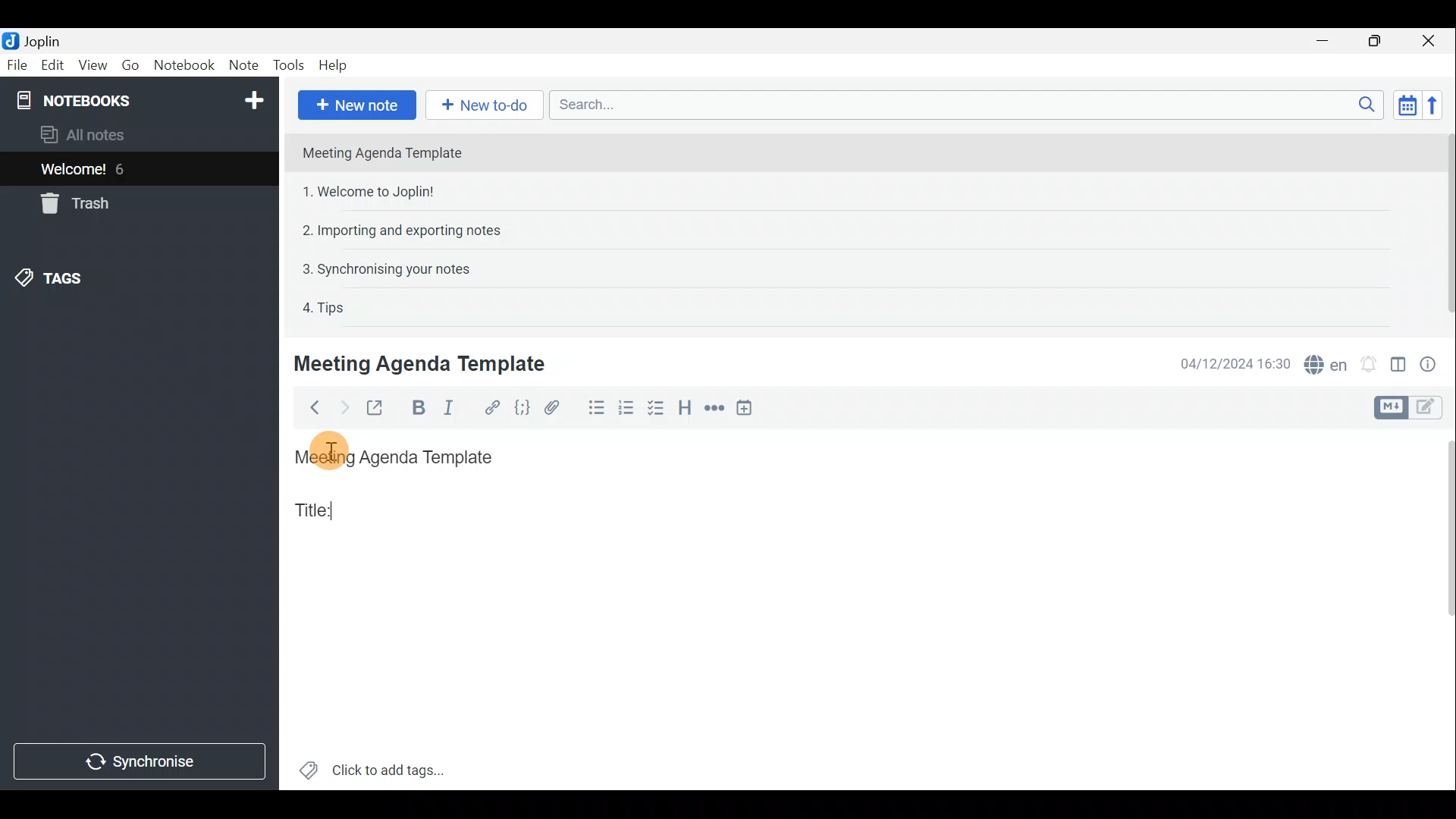 Image resolution: width=1456 pixels, height=819 pixels. Describe the element at coordinates (130, 64) in the screenshot. I see `Go` at that location.